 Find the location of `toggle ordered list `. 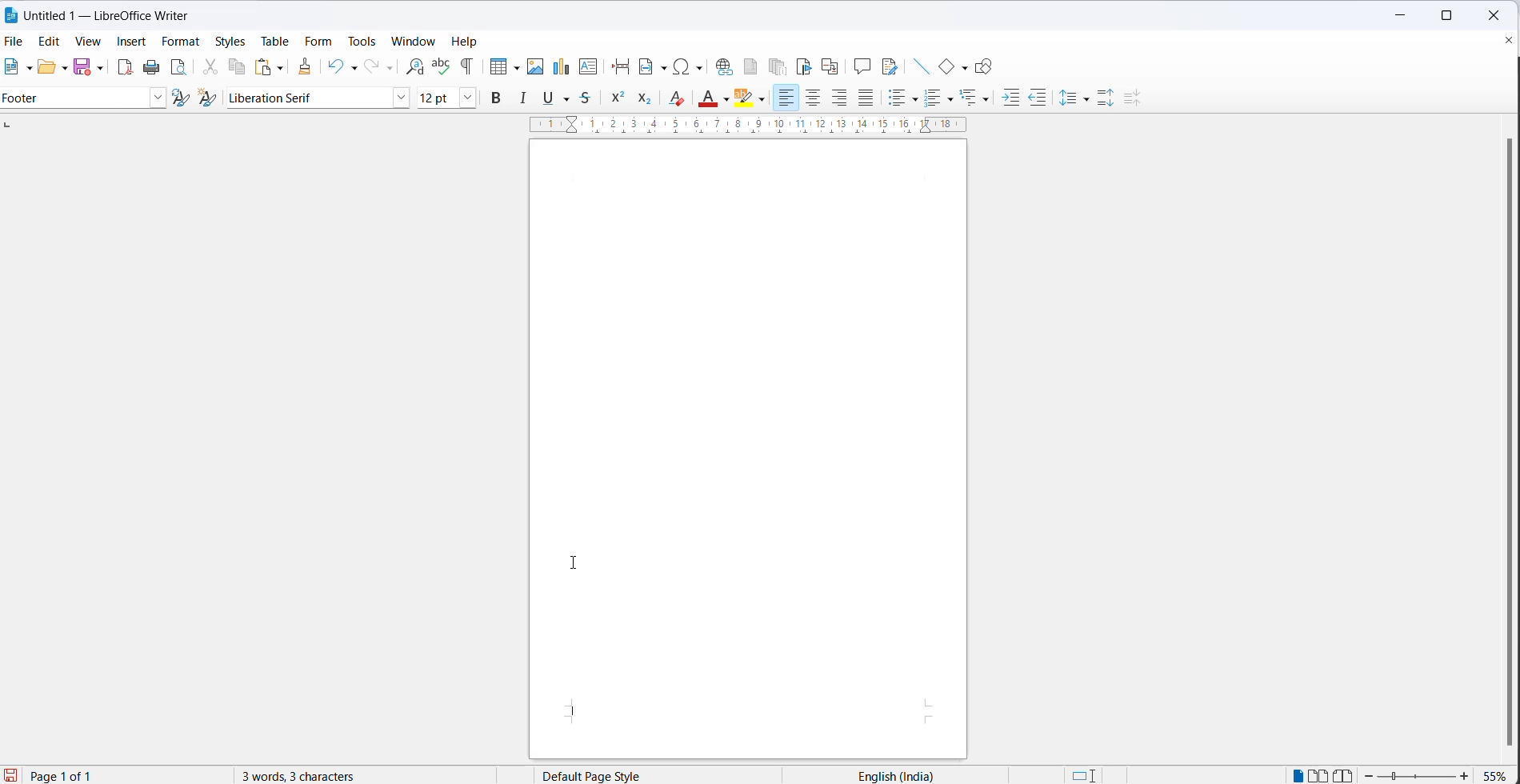

toggle ordered list  is located at coordinates (899, 99).